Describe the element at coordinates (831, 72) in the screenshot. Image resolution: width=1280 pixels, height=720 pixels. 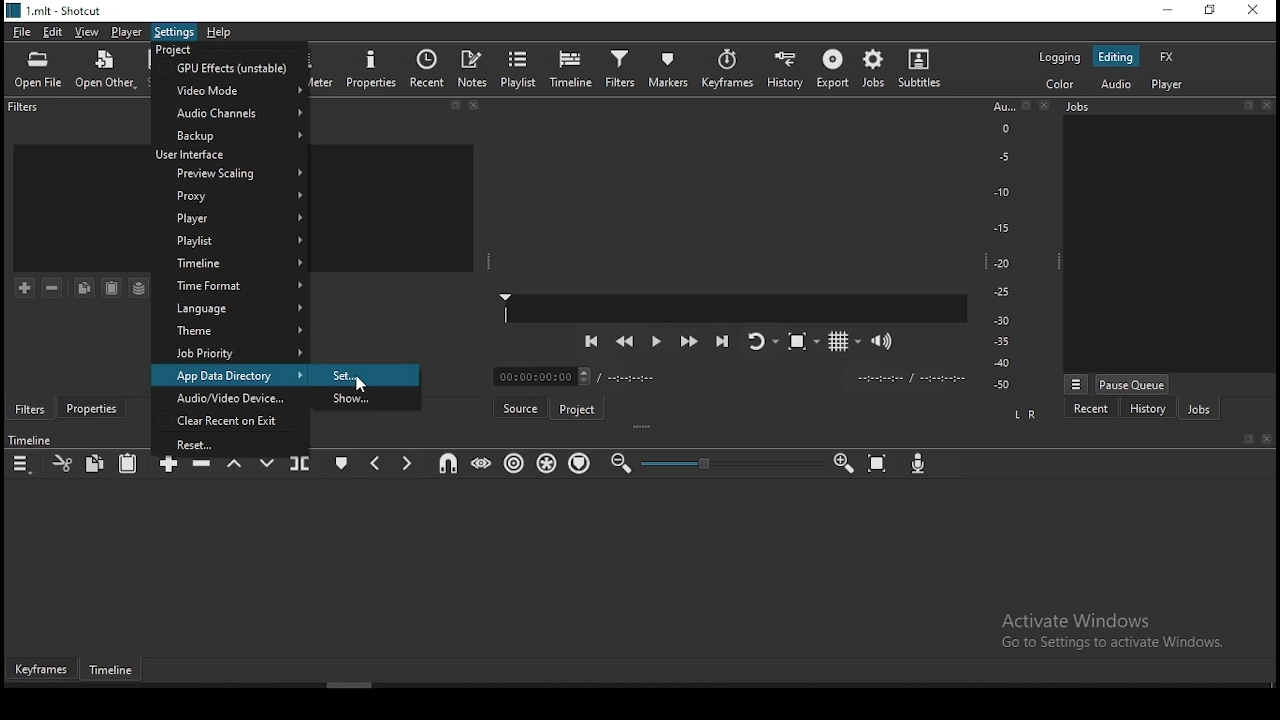
I see `export` at that location.